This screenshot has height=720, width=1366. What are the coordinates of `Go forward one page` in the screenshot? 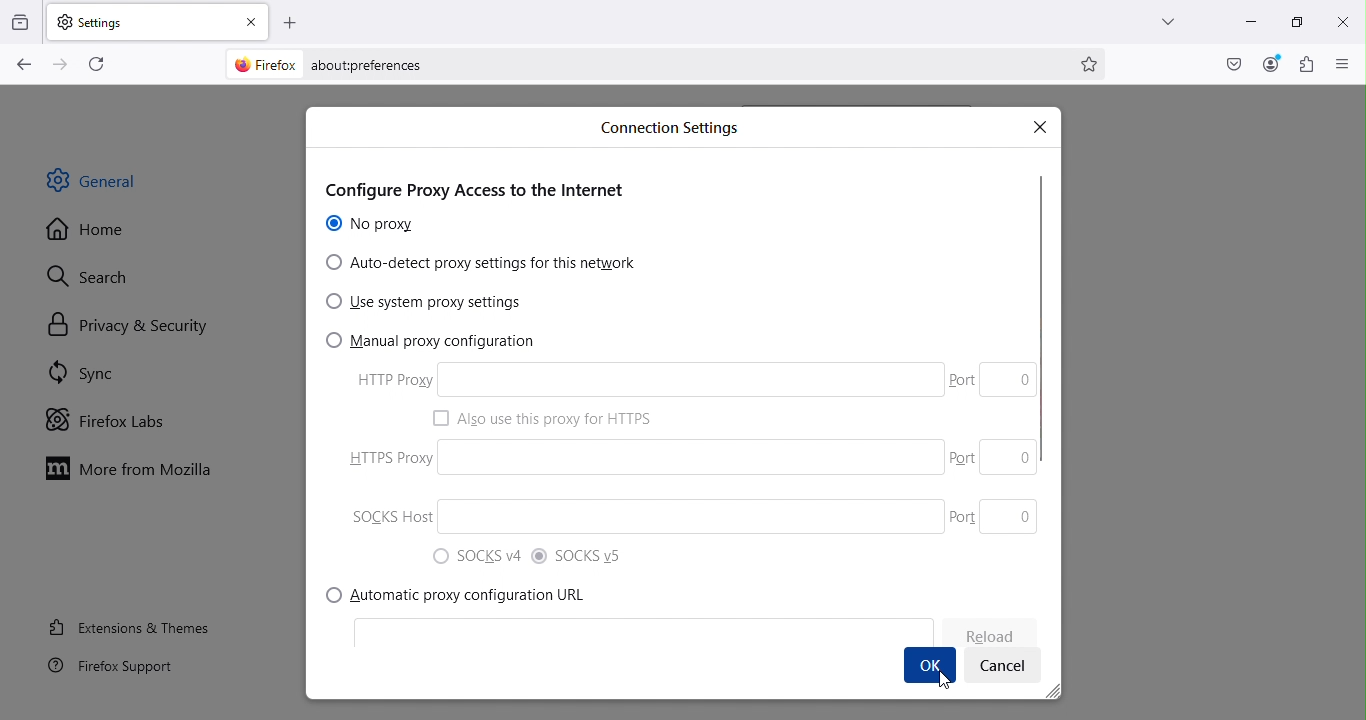 It's located at (63, 63).